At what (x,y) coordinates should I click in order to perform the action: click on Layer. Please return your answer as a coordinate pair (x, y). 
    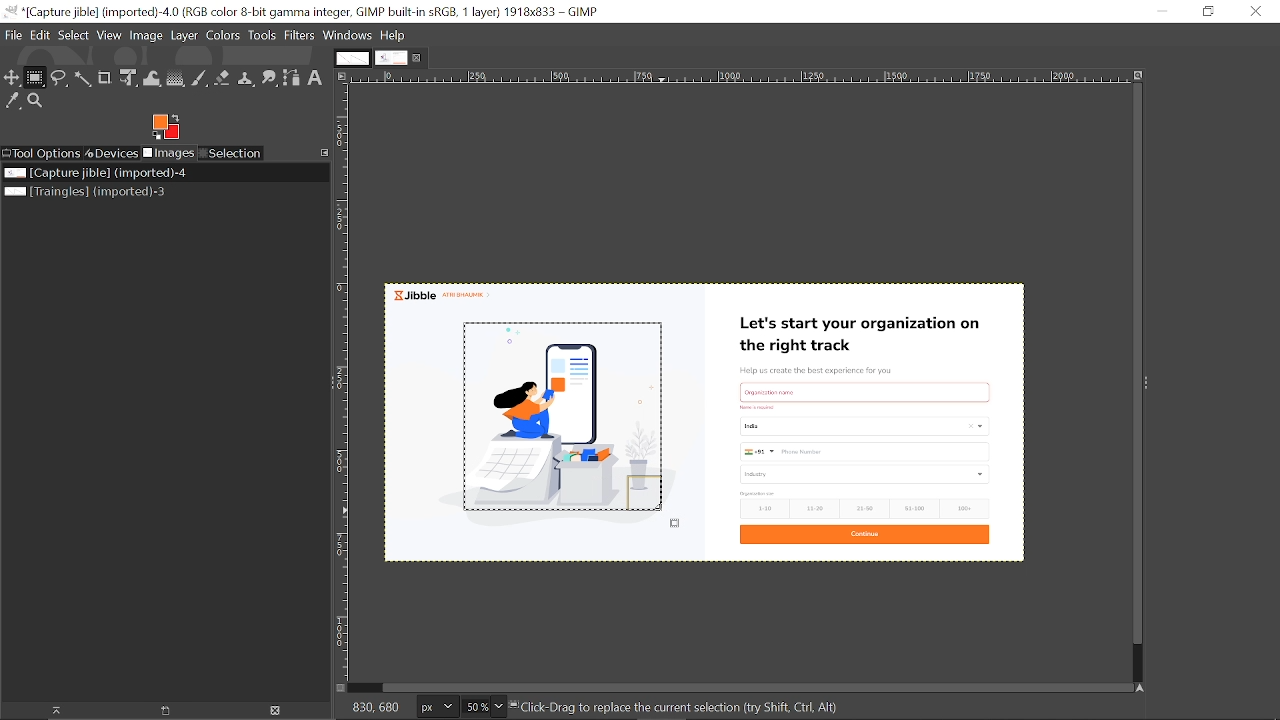
    Looking at the image, I should click on (186, 37).